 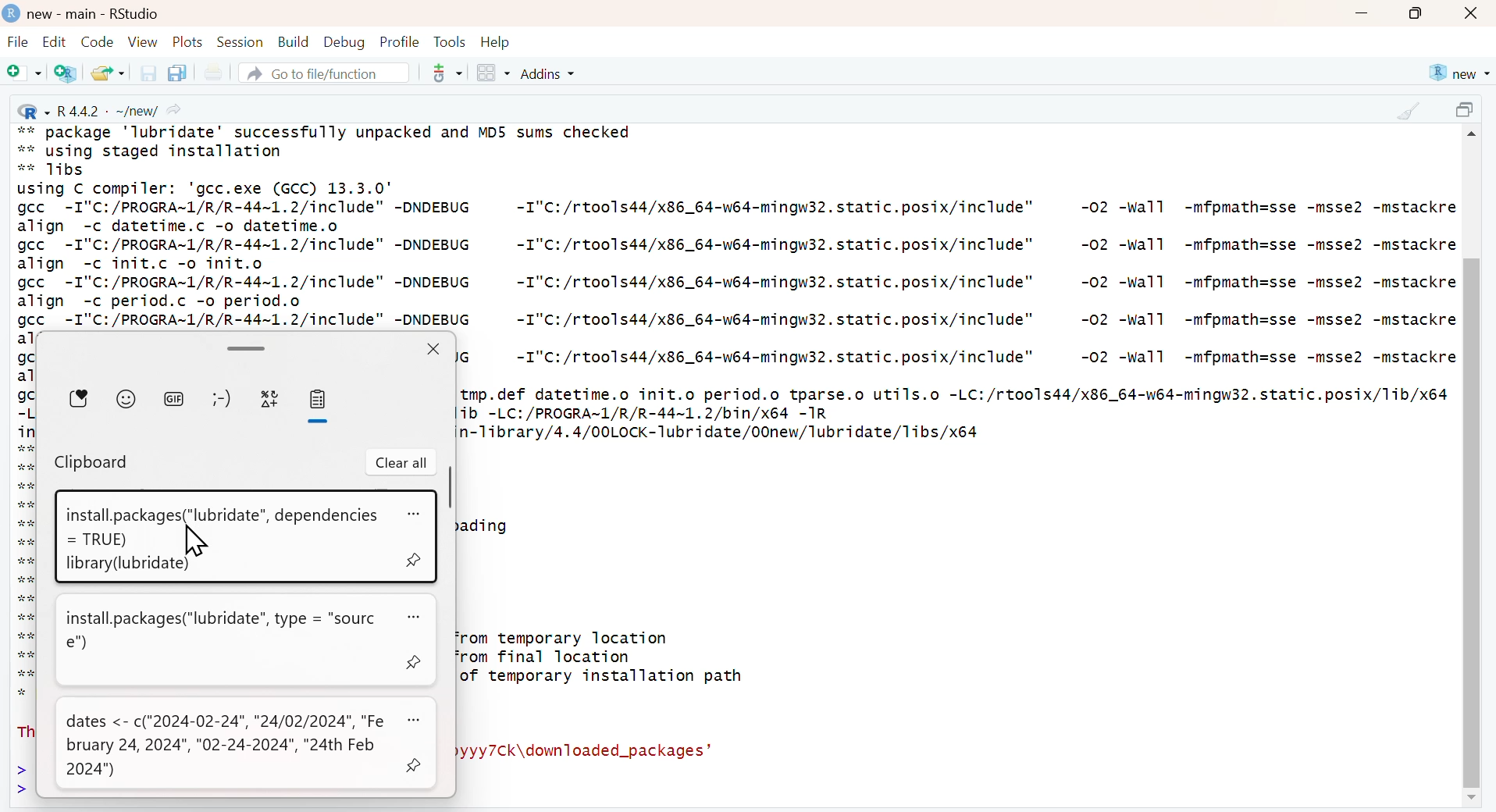 What do you see at coordinates (326, 130) in the screenshot?
I see `** package 'lubridate' successfully unpacked and MD5 sums checked` at bounding box center [326, 130].